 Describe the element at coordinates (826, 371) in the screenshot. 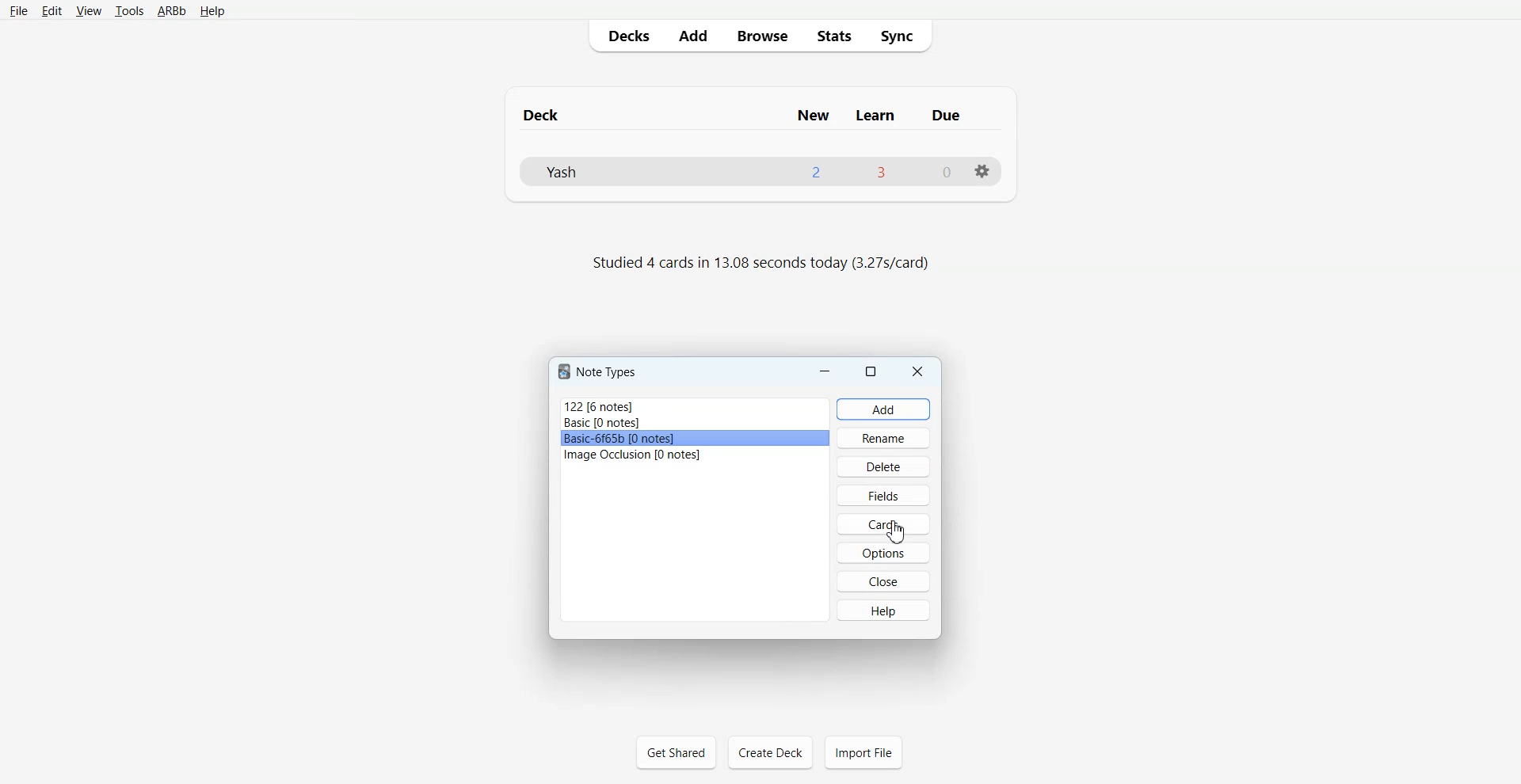

I see `Minimize` at that location.